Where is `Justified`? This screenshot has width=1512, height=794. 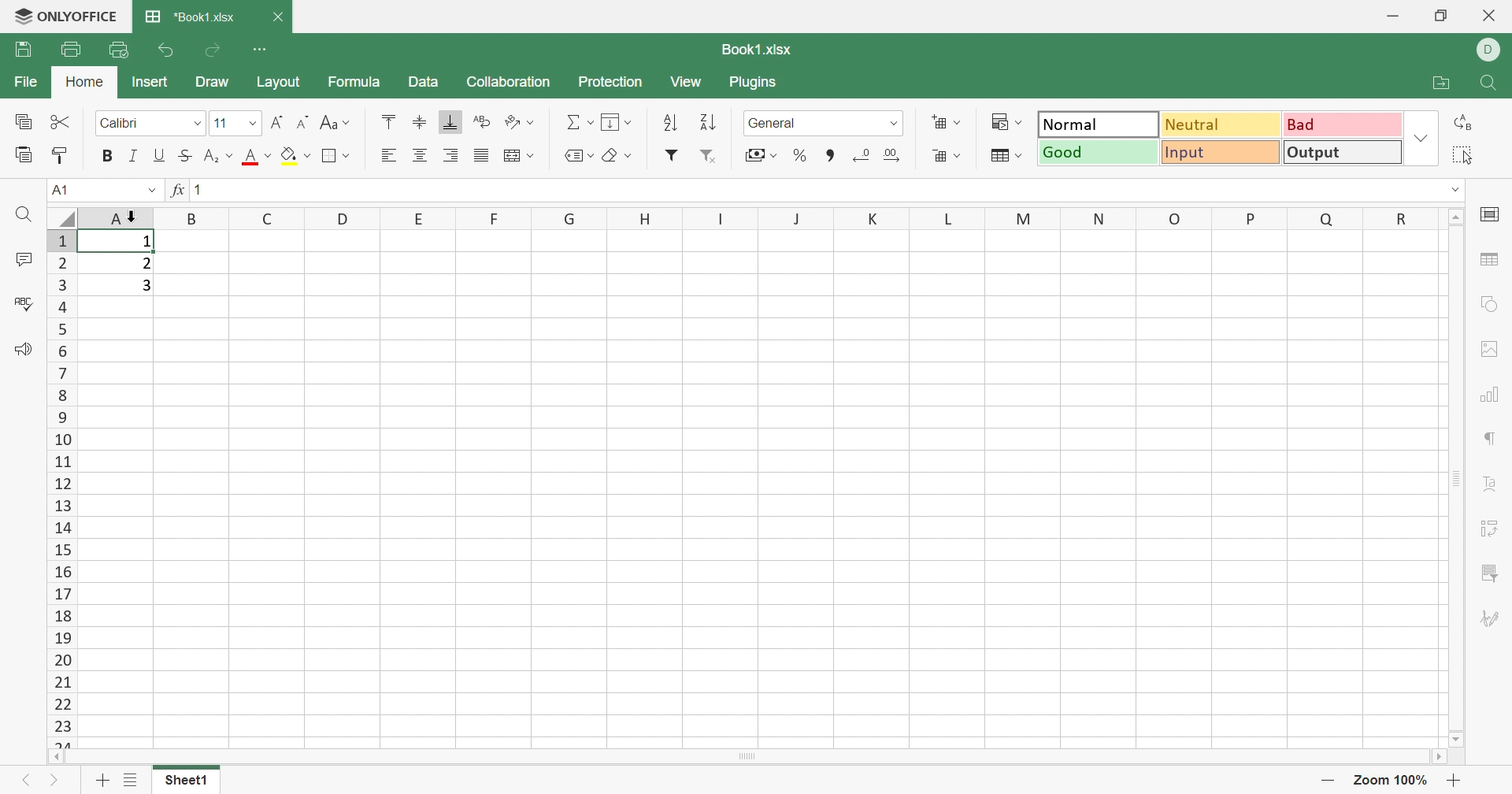 Justified is located at coordinates (480, 154).